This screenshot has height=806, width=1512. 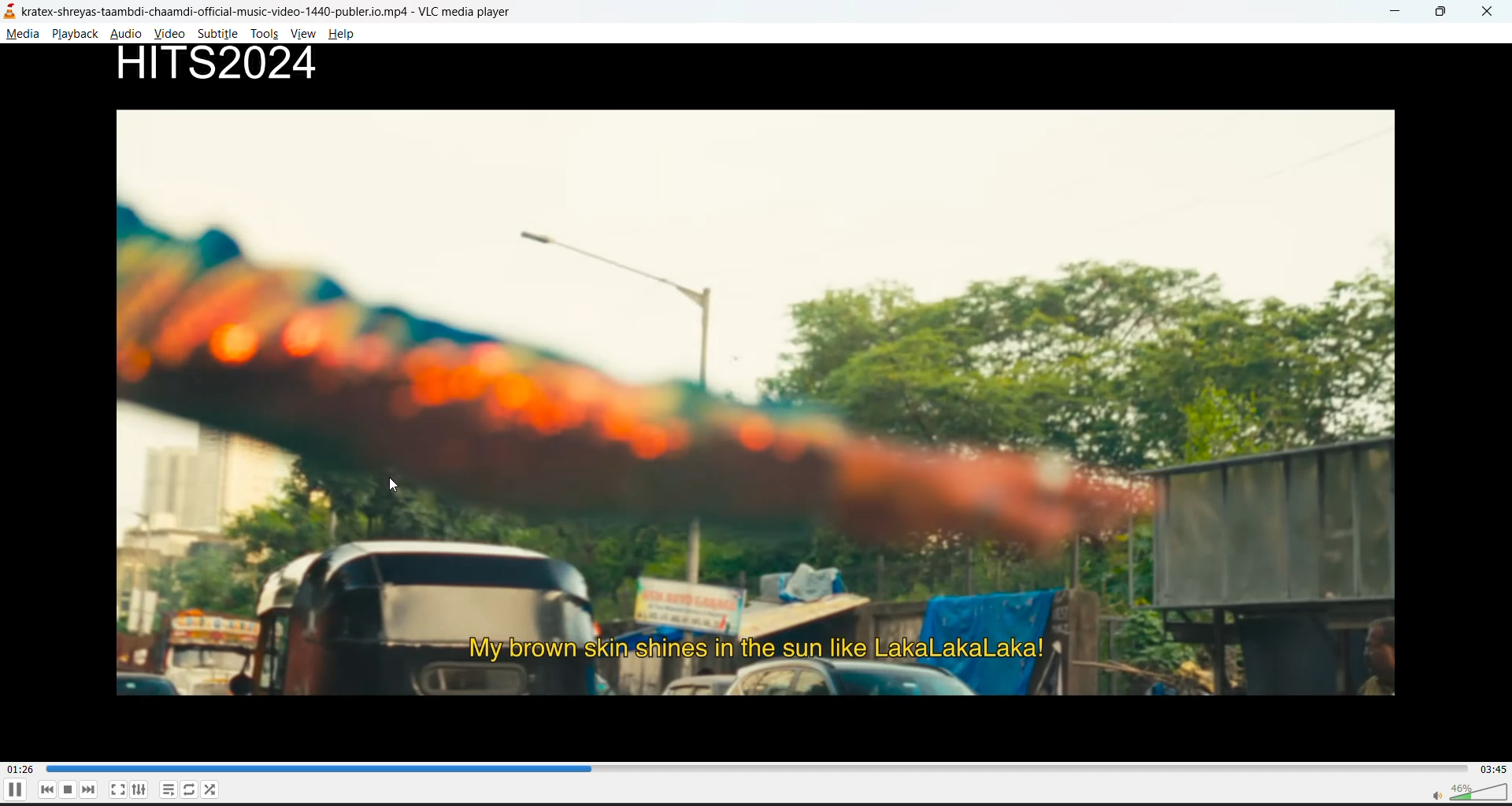 I want to click on cursor, so click(x=393, y=485).